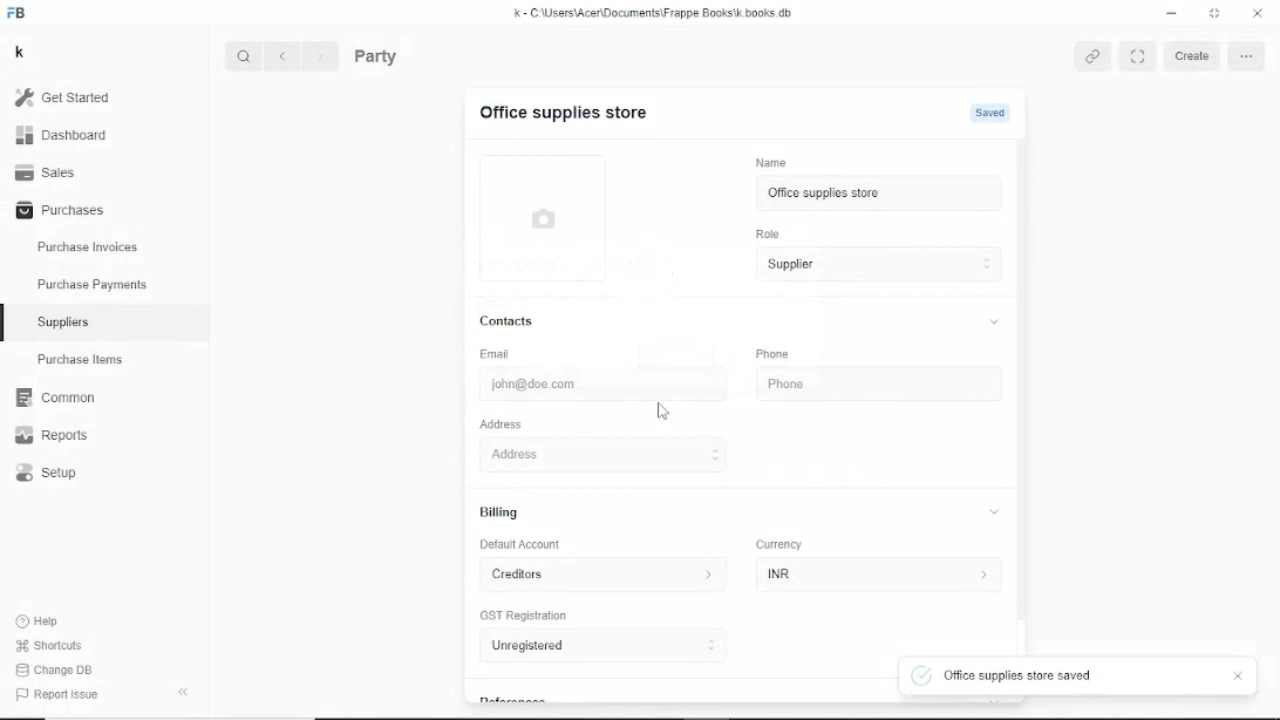  What do you see at coordinates (654, 12) in the screenshot?
I see `k - C\Users\Acer\Documents\Frappe books\k.books.db` at bounding box center [654, 12].